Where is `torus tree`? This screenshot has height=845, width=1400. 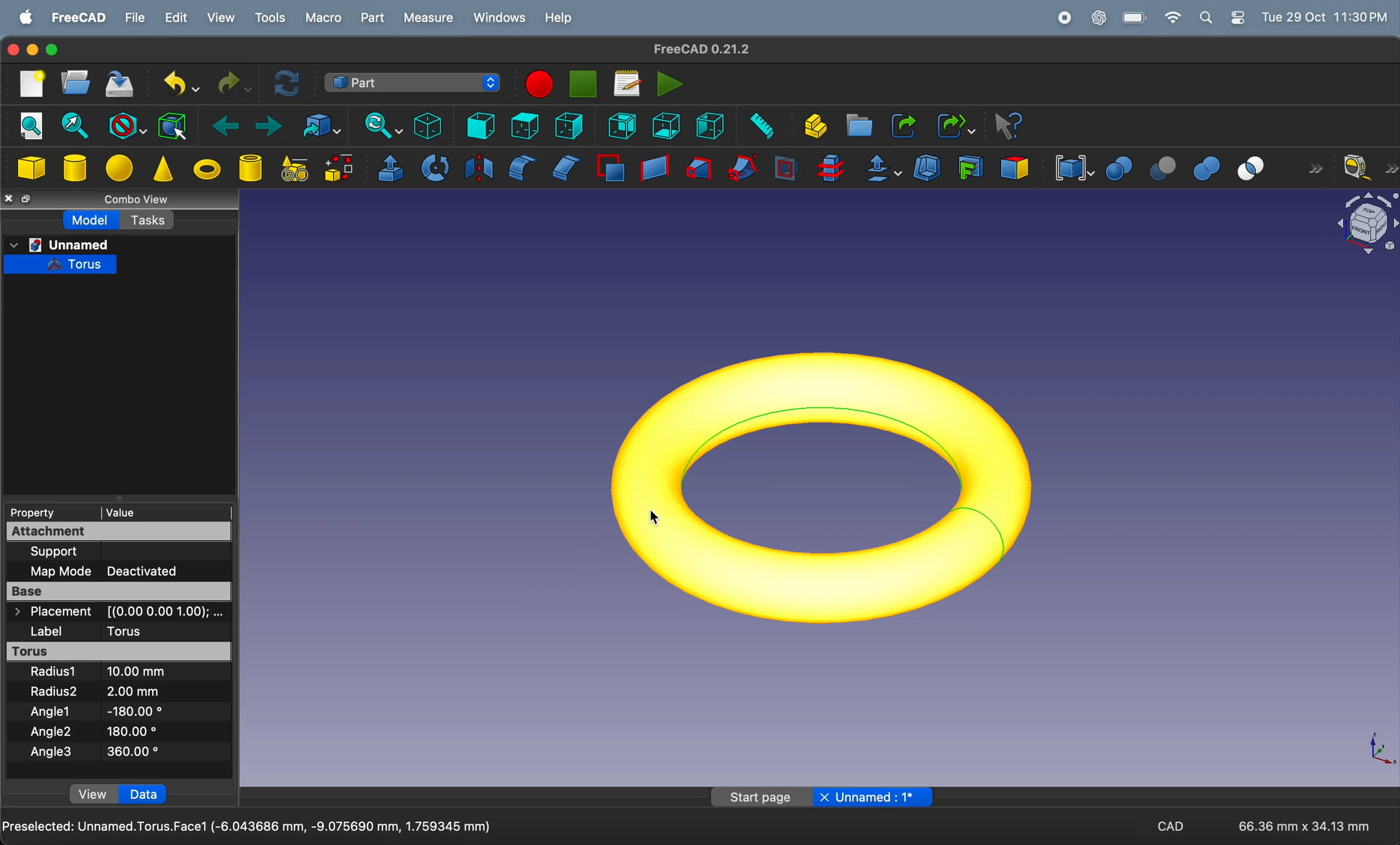 torus tree is located at coordinates (61, 266).